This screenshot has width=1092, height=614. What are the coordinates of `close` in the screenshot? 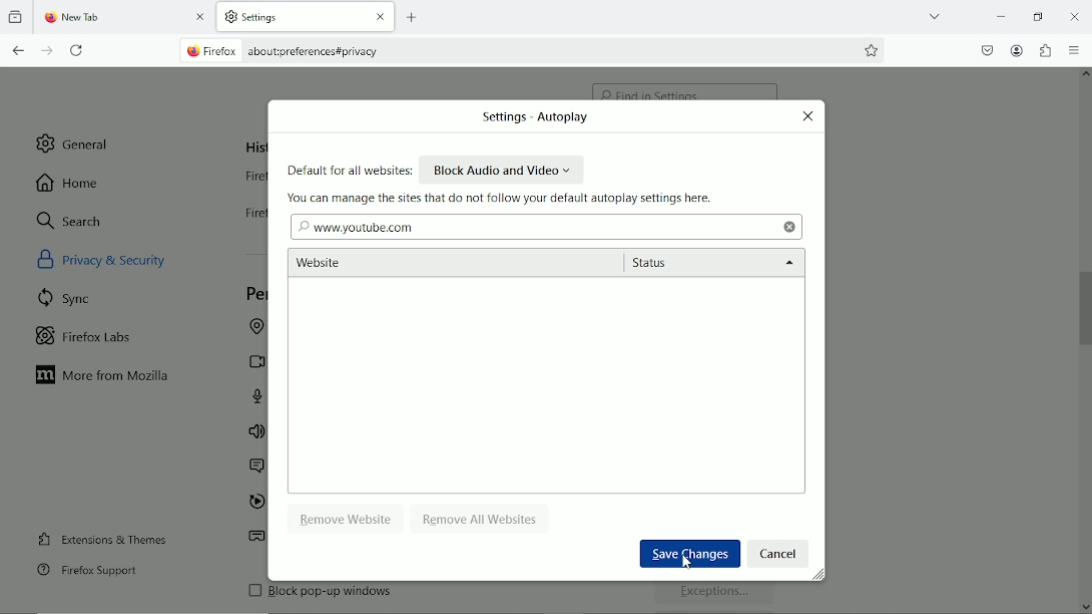 It's located at (202, 19).